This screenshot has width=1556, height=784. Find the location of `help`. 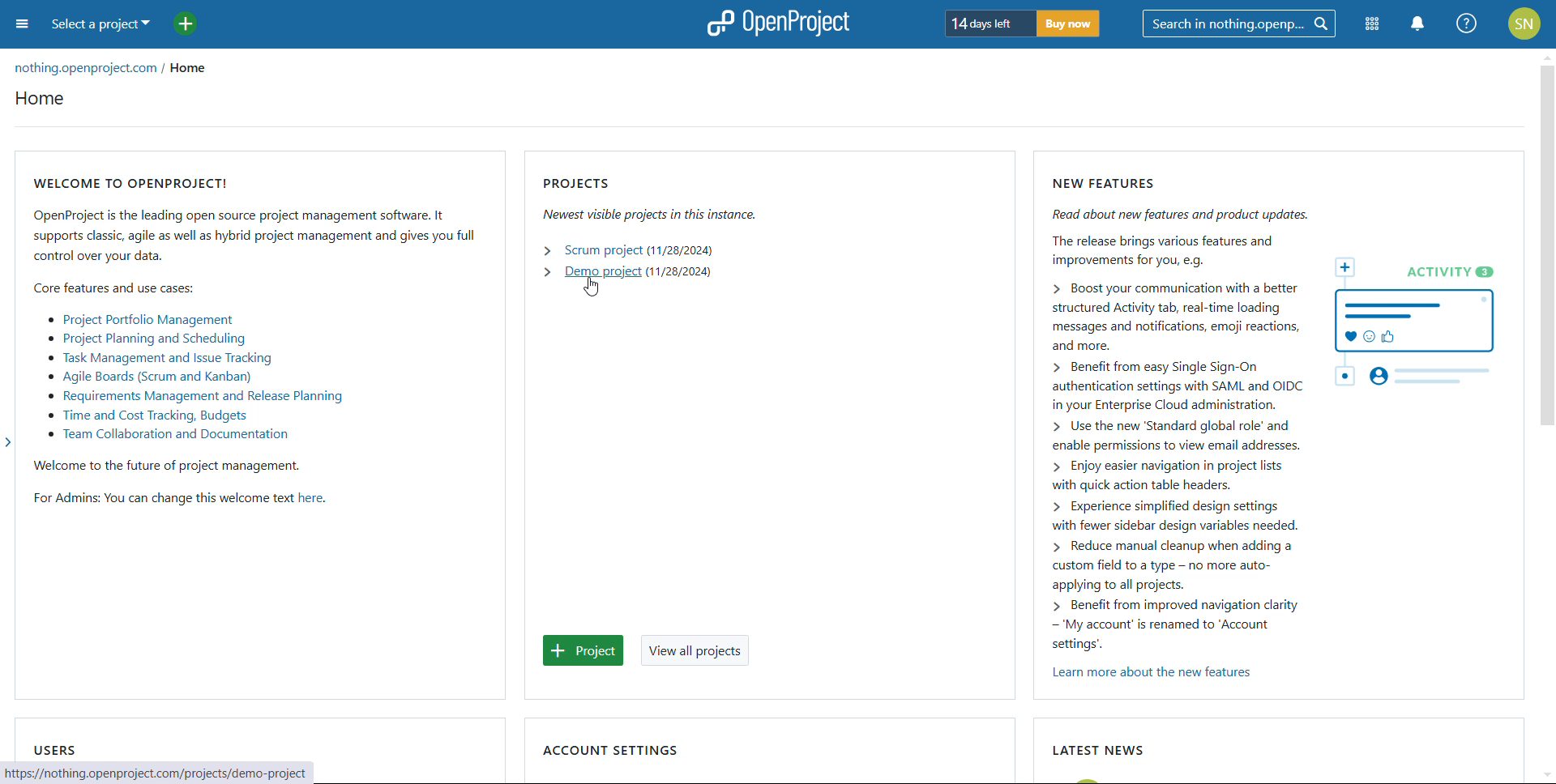

help is located at coordinates (1468, 24).